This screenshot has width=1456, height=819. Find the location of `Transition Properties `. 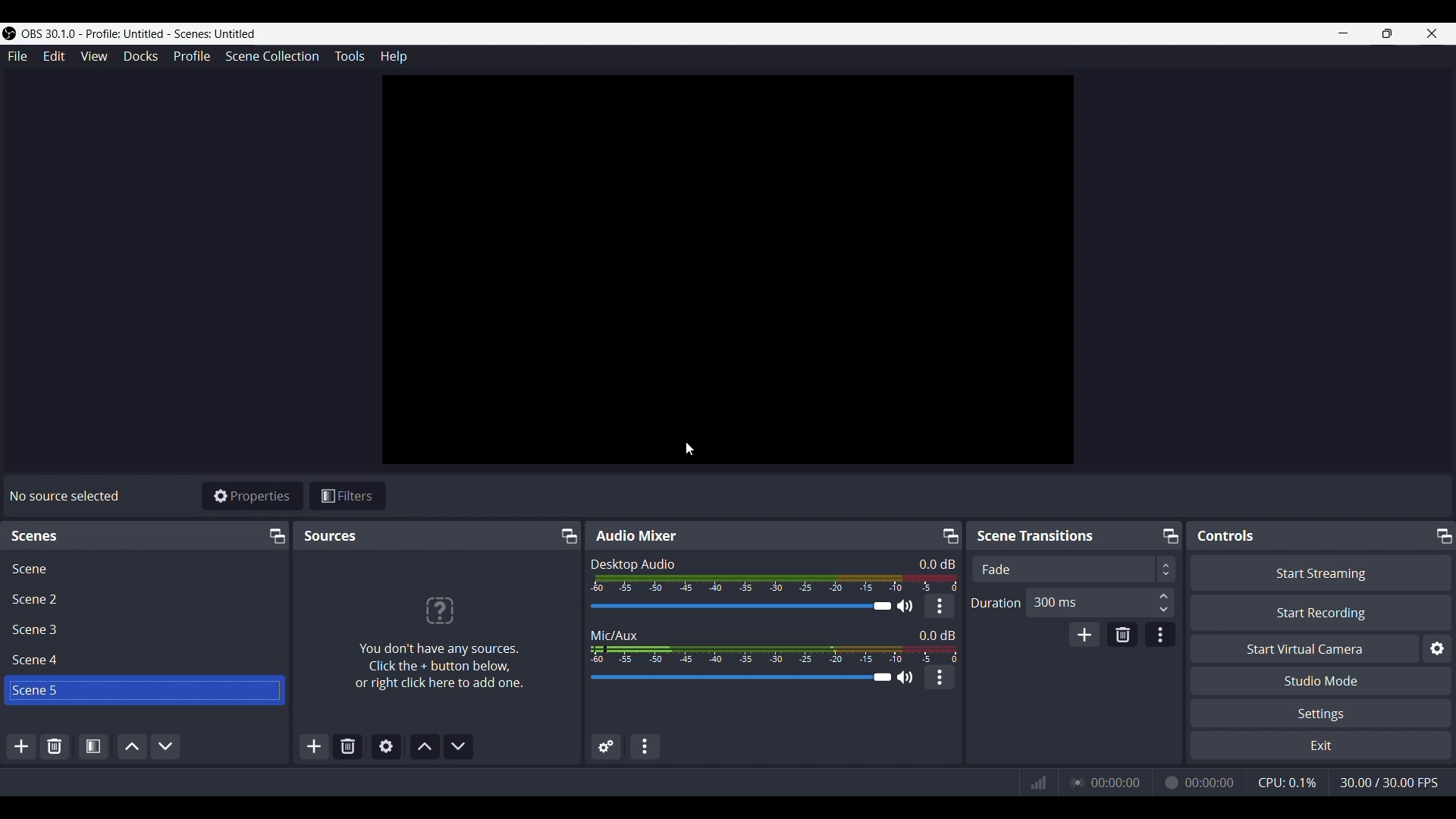

Transition Properties  is located at coordinates (1161, 635).